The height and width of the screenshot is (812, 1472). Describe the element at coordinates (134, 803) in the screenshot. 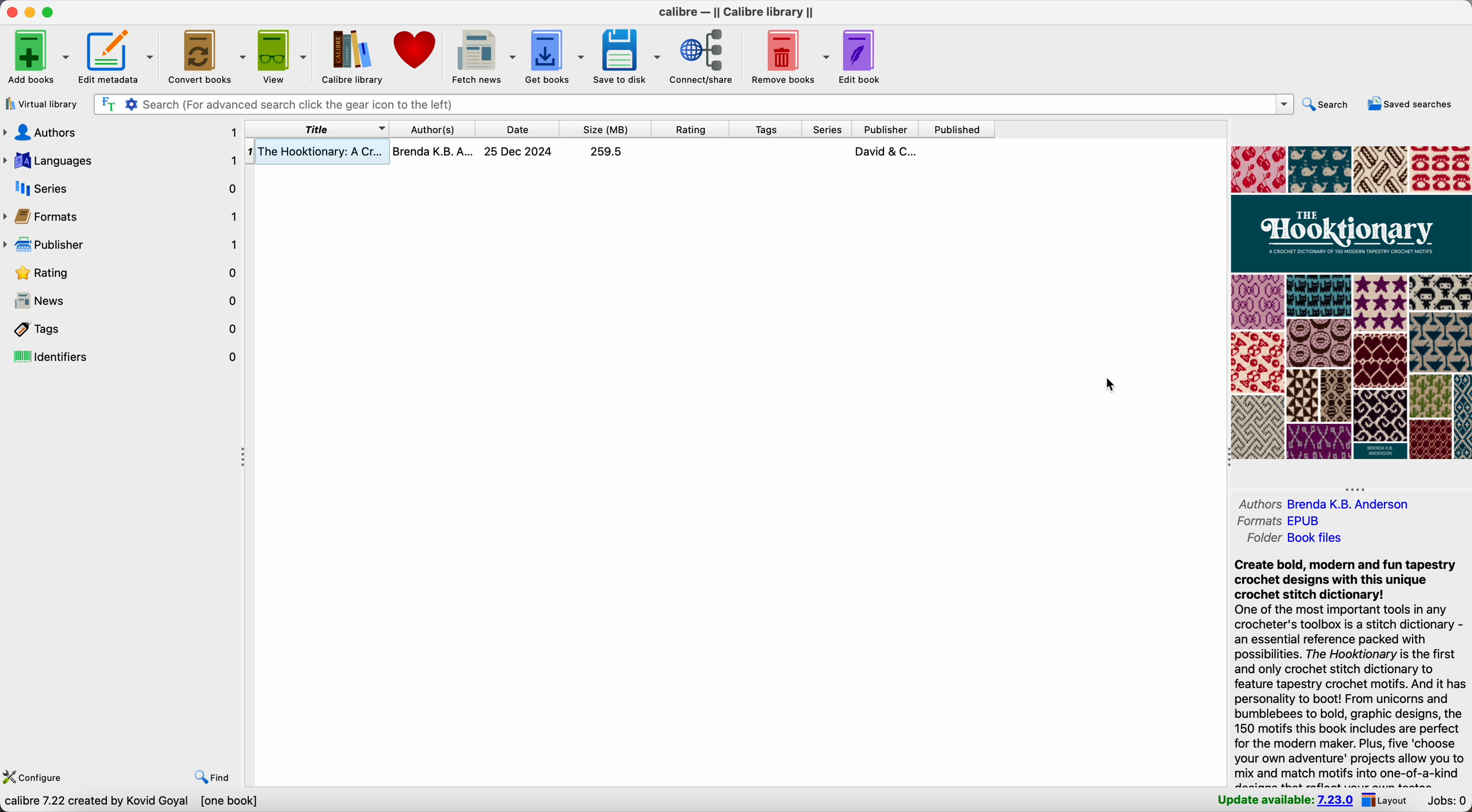

I see `data` at that location.